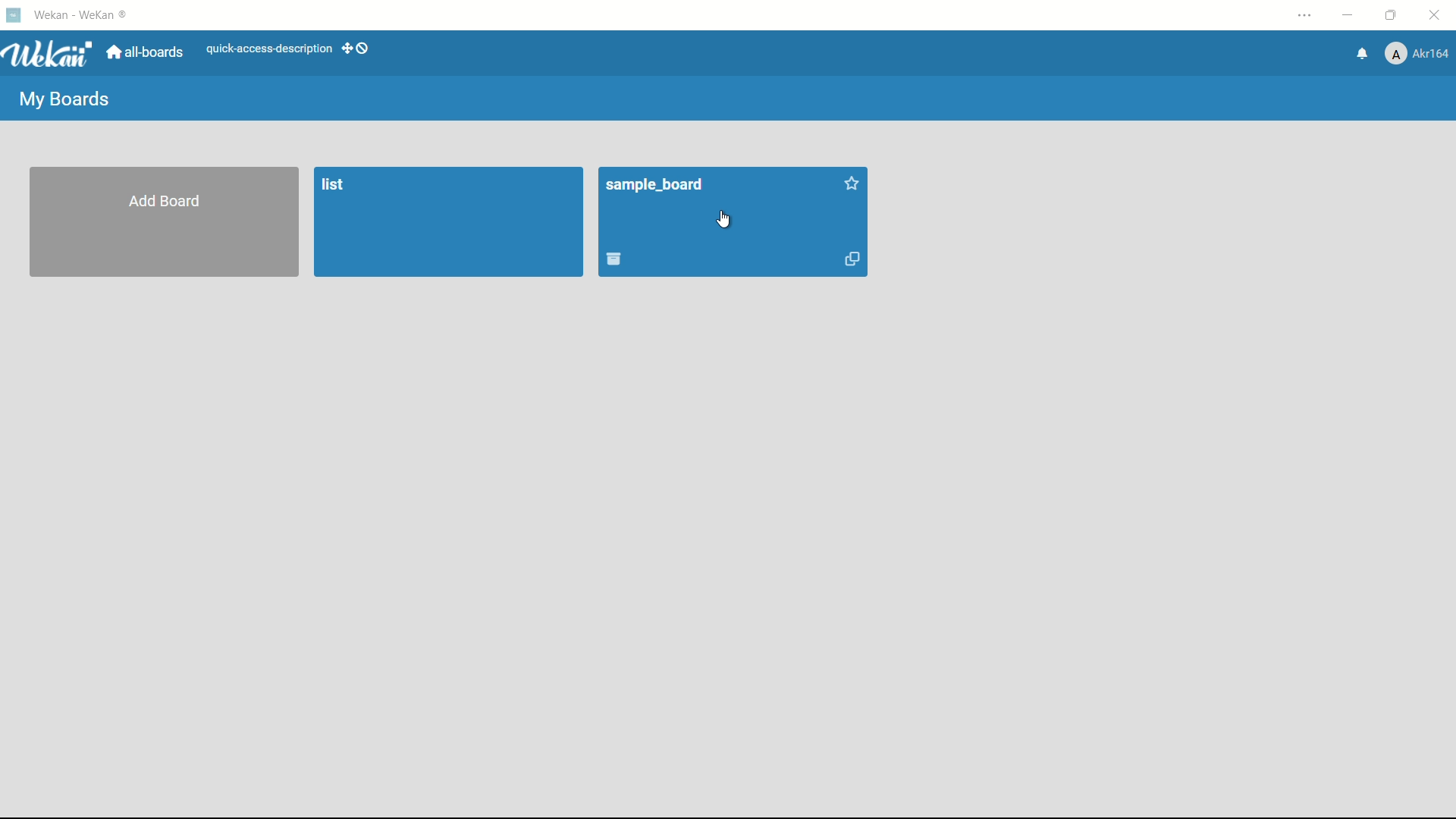 This screenshot has height=819, width=1456. I want to click on all boards, so click(144, 52).